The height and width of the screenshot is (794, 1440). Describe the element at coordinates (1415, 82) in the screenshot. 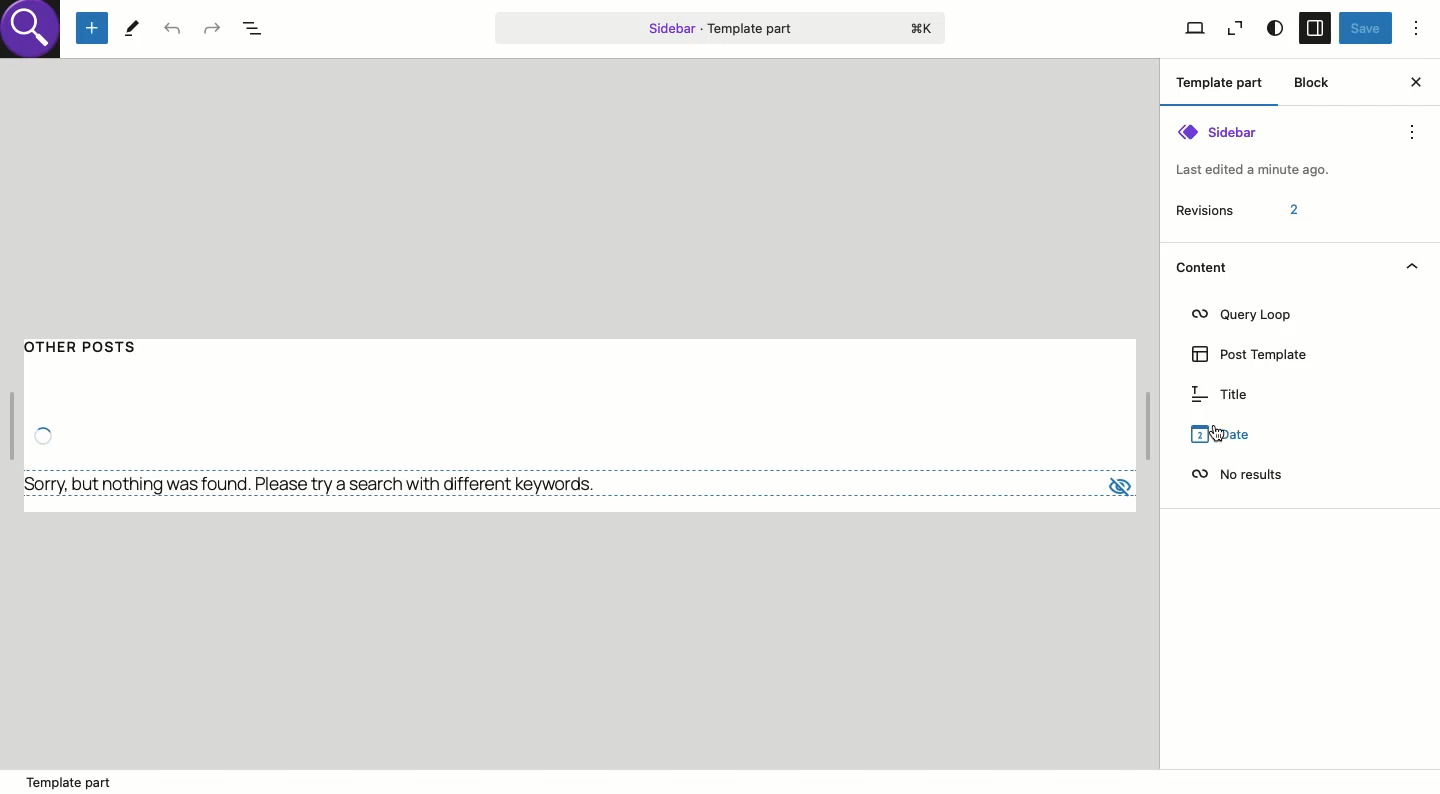

I see `Close` at that location.